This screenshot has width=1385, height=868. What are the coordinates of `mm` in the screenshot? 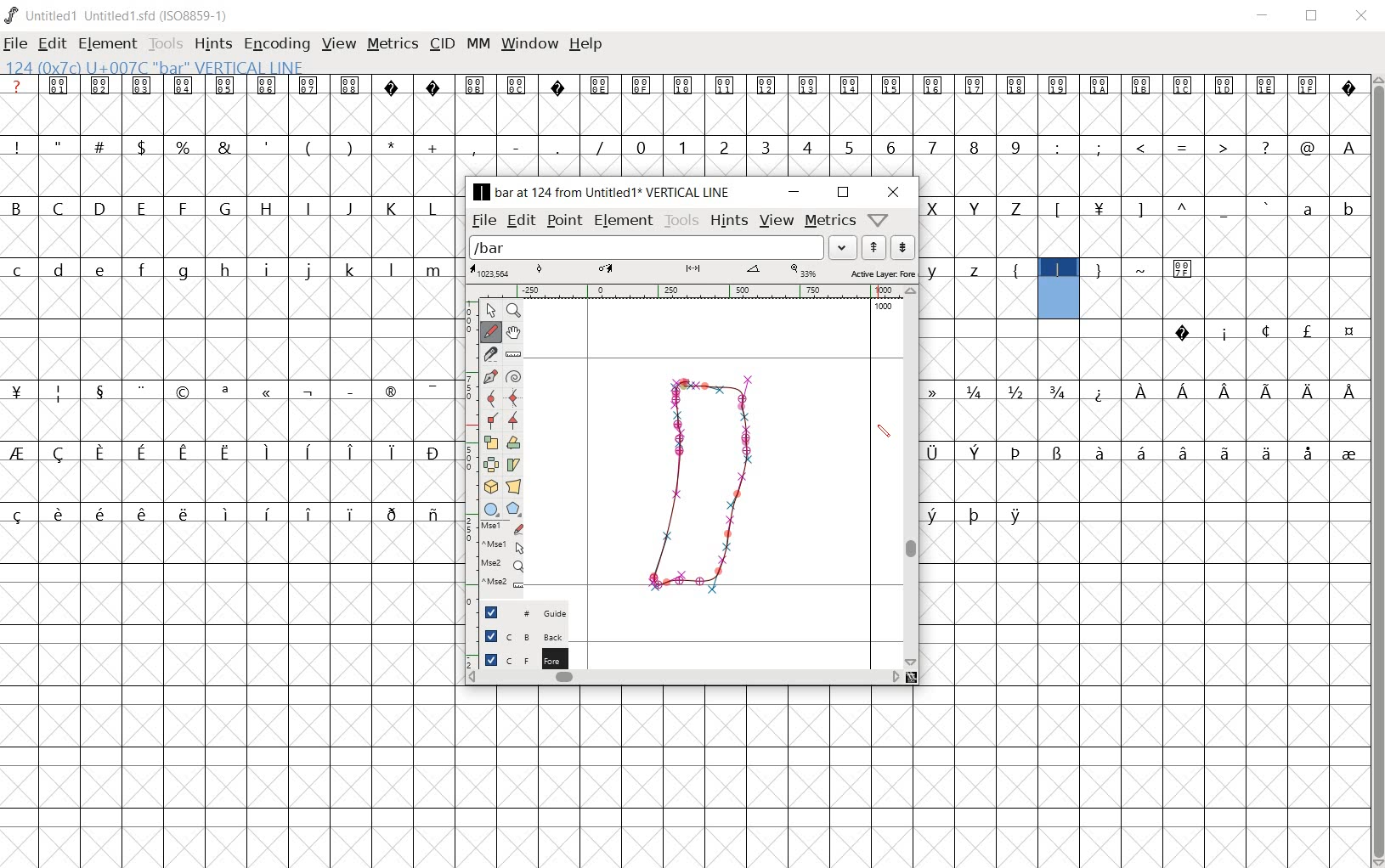 It's located at (478, 42).